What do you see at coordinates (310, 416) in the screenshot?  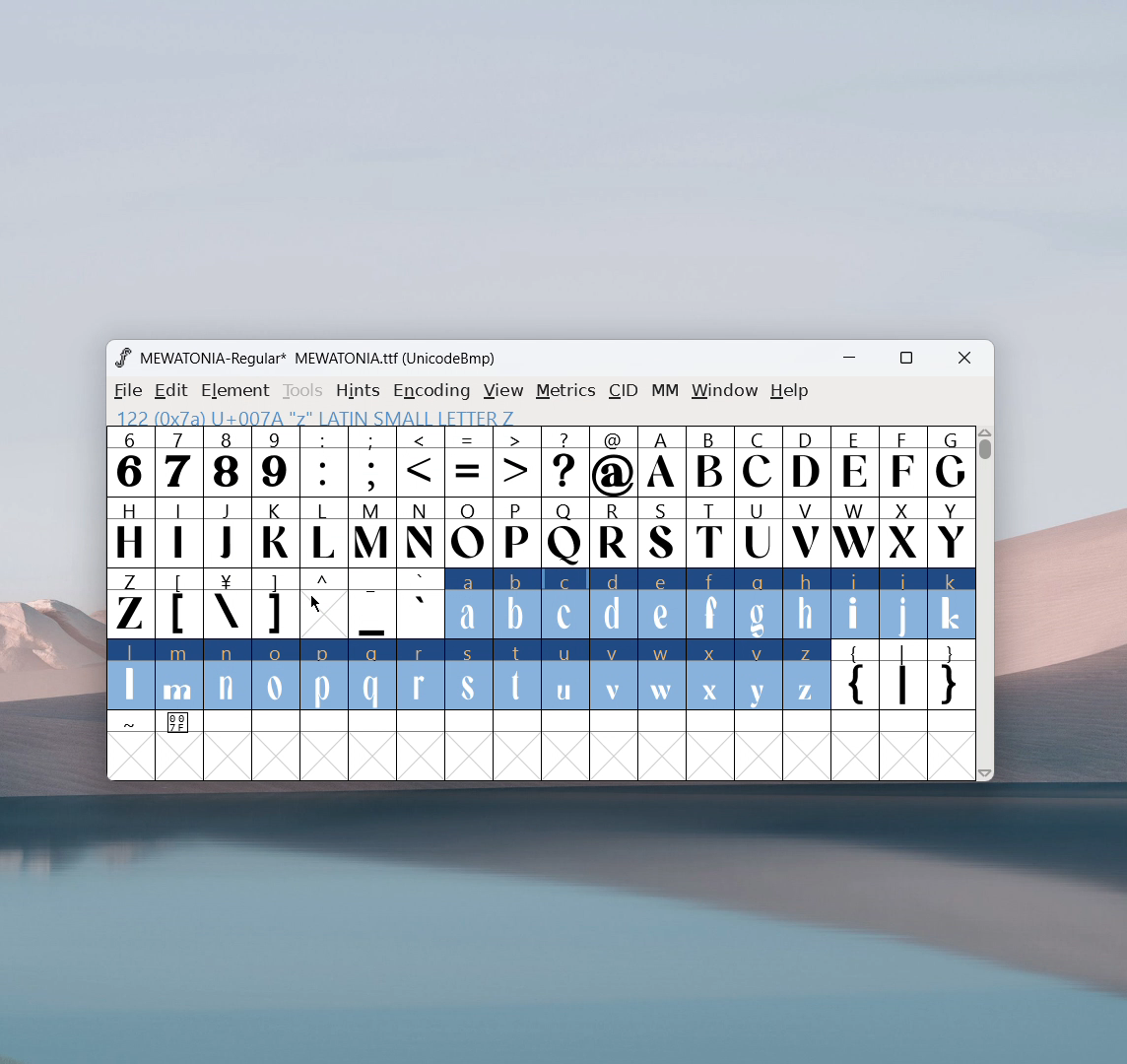 I see `97 (x61) U+0061 "a" LATIN S ETTER` at bounding box center [310, 416].